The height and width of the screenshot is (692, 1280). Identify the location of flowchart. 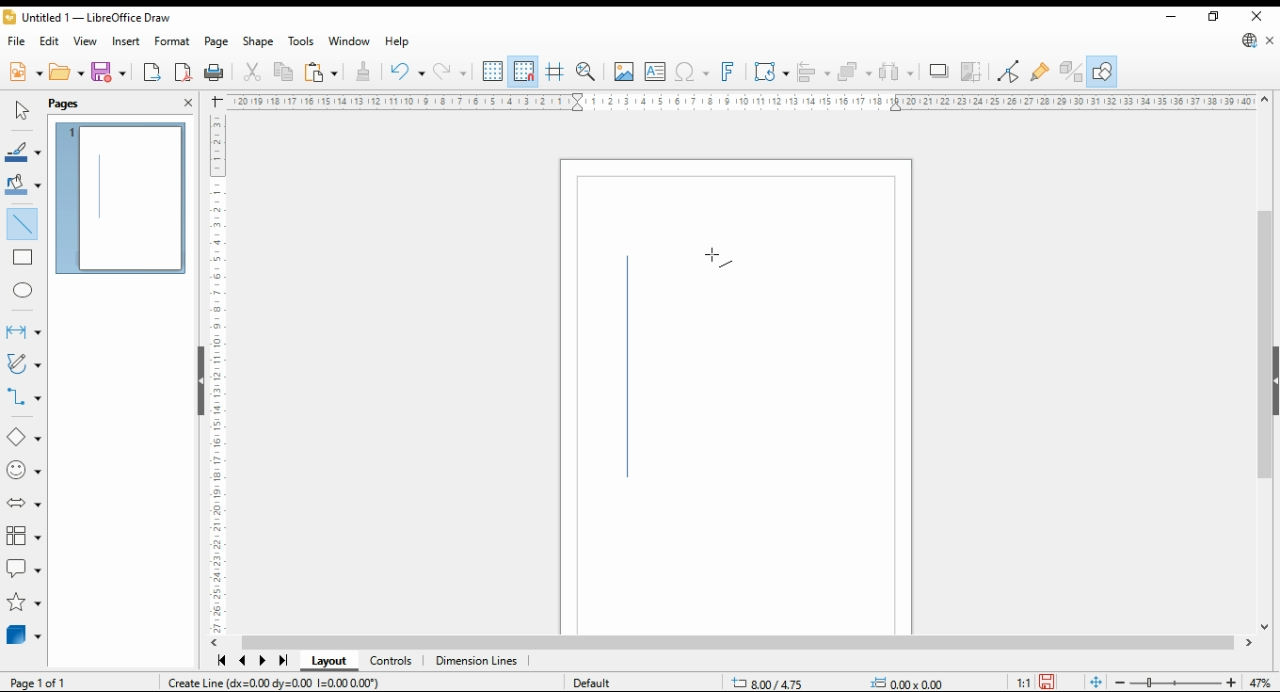
(21, 536).